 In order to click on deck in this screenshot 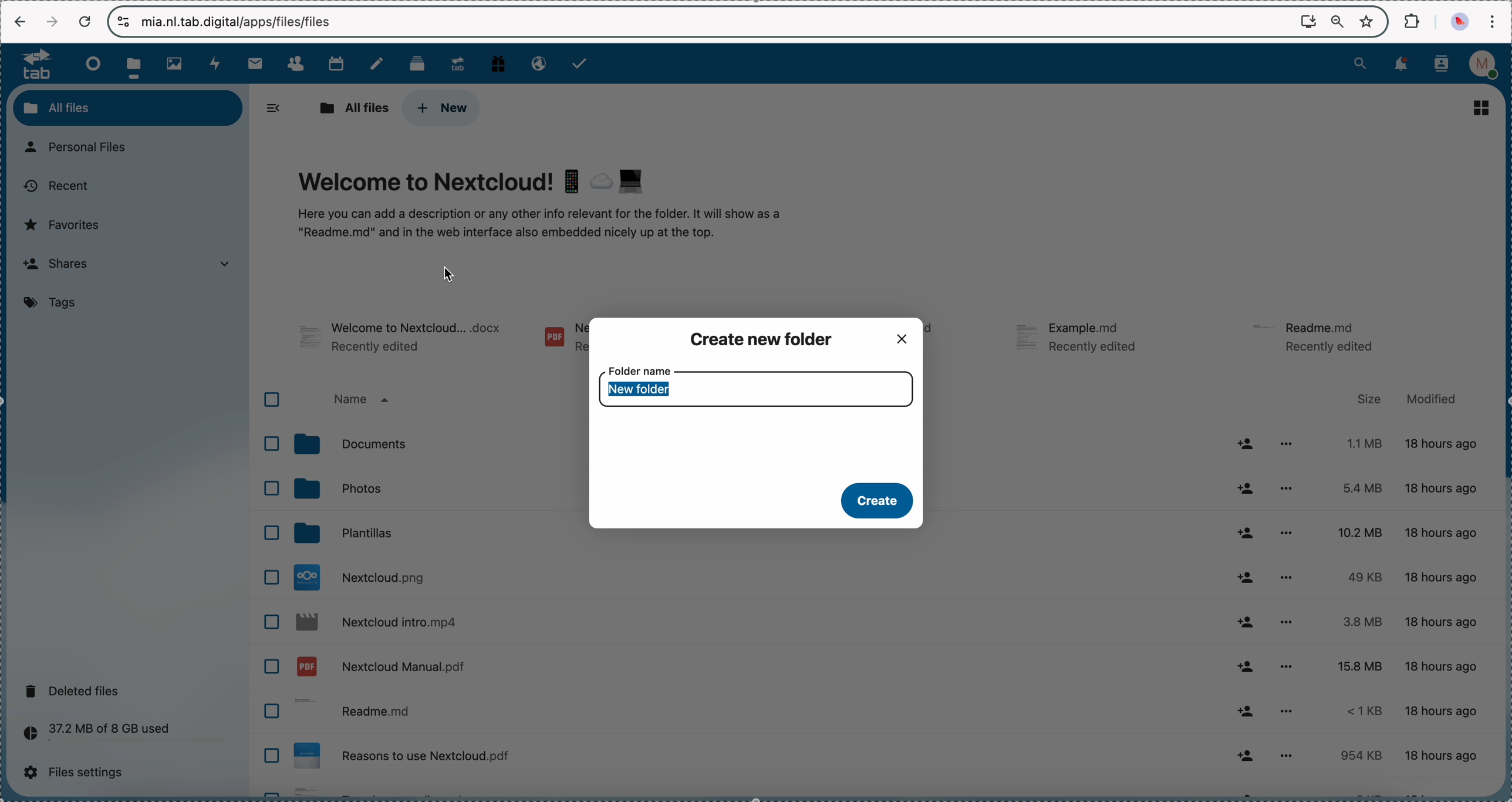, I will do `click(420, 62)`.